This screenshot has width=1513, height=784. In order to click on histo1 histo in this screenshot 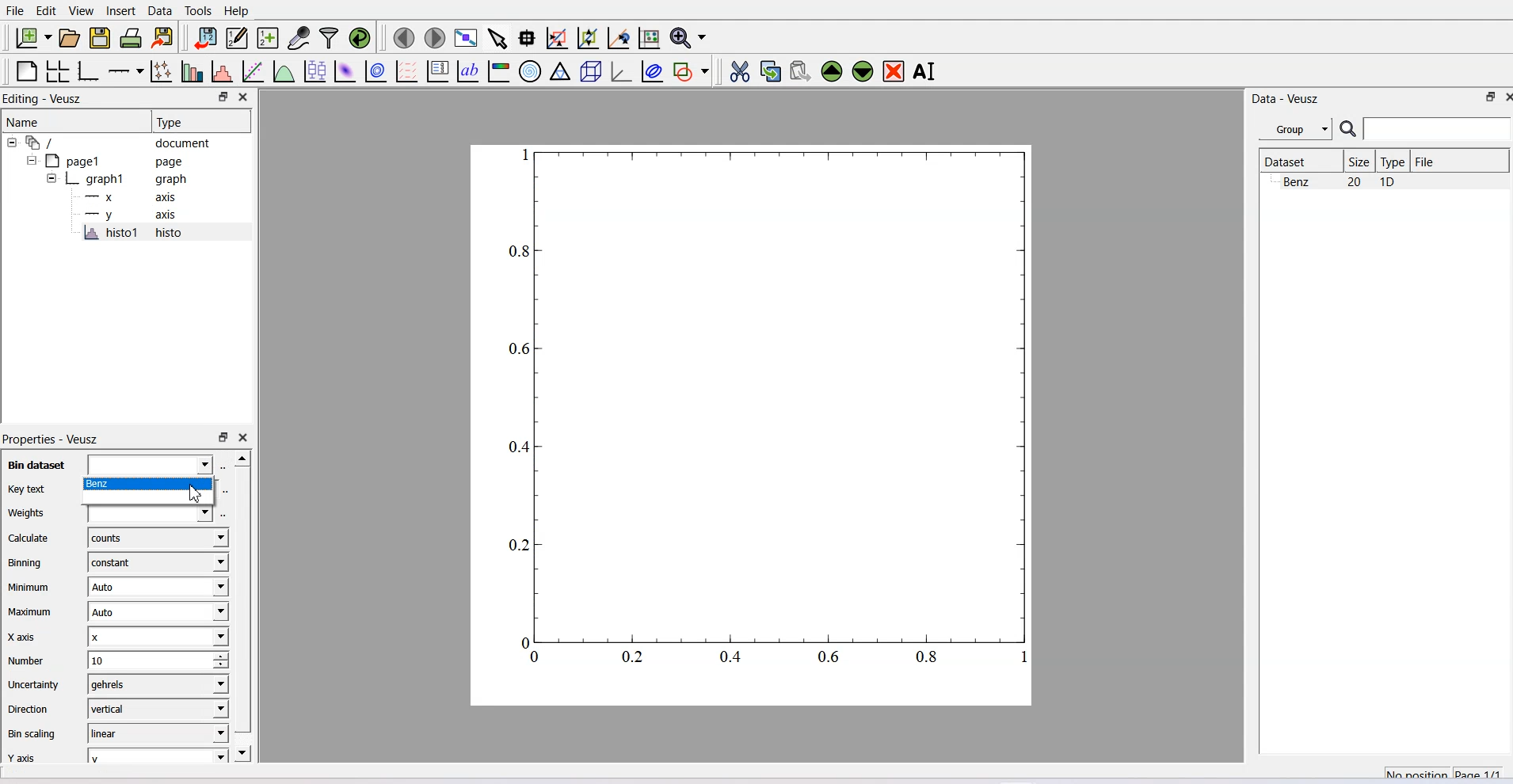, I will do `click(136, 232)`.